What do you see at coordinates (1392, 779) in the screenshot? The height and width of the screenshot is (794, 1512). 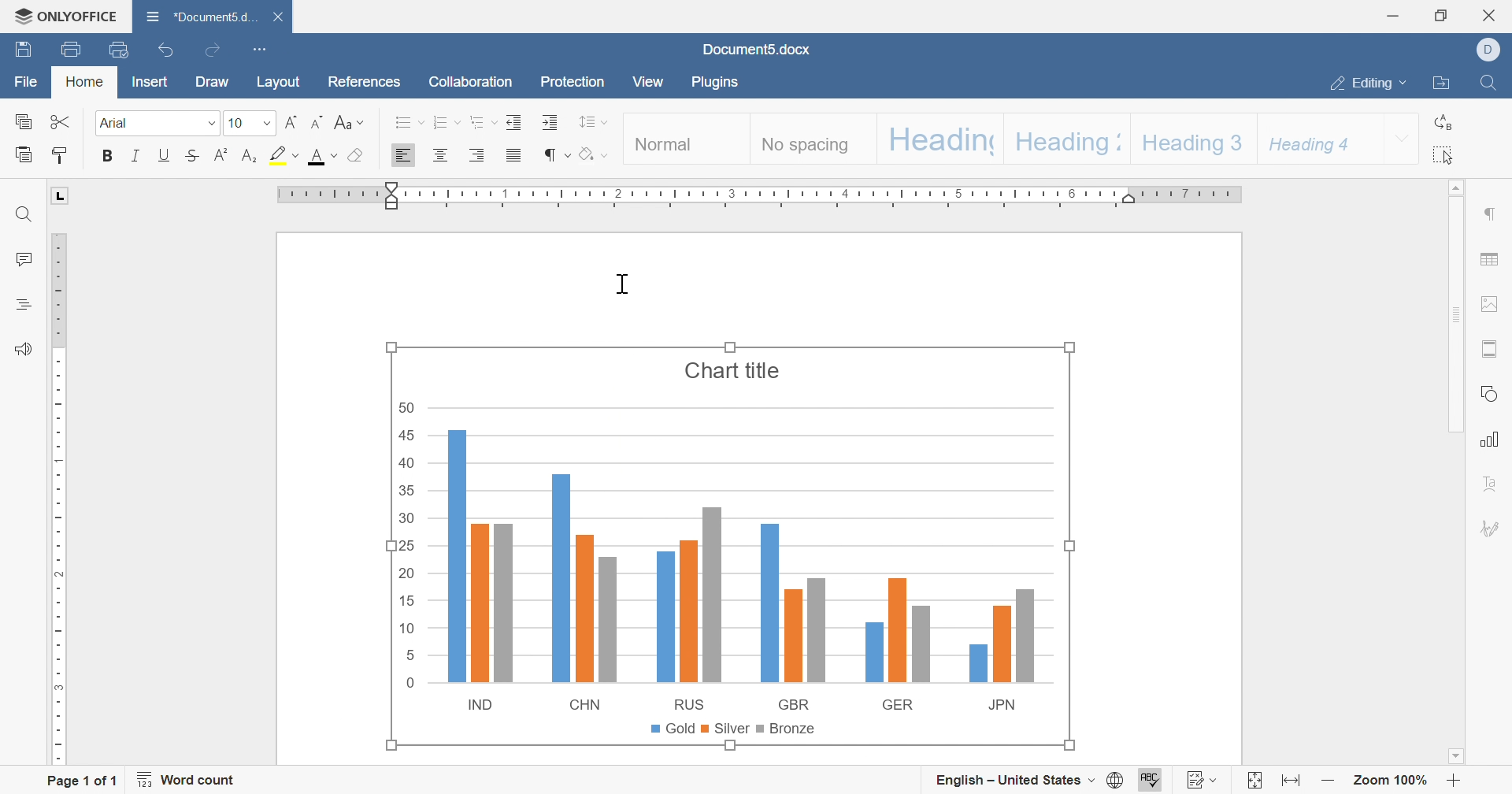 I see `zoom 100%` at bounding box center [1392, 779].